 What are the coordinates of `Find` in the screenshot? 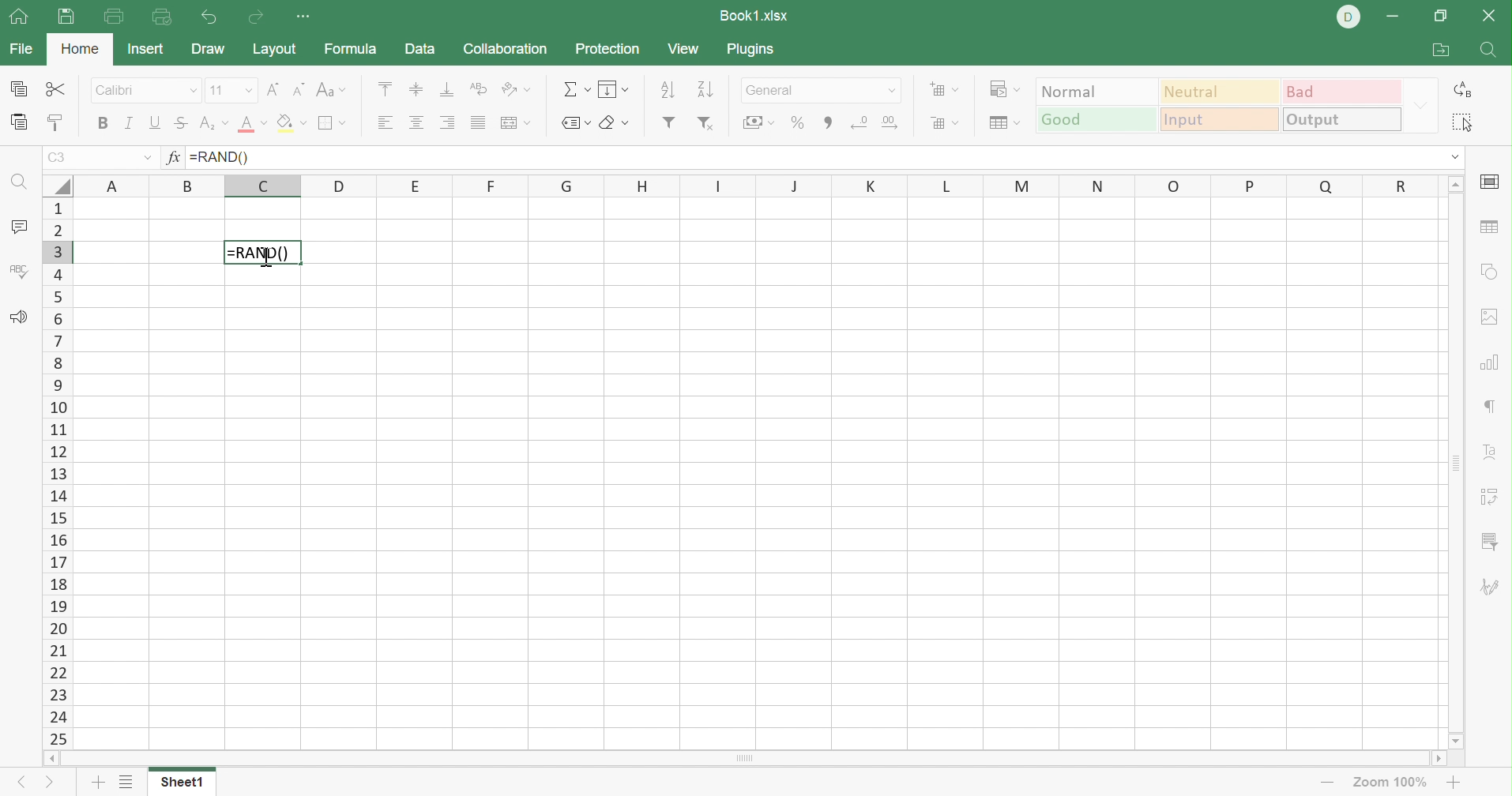 It's located at (22, 186).